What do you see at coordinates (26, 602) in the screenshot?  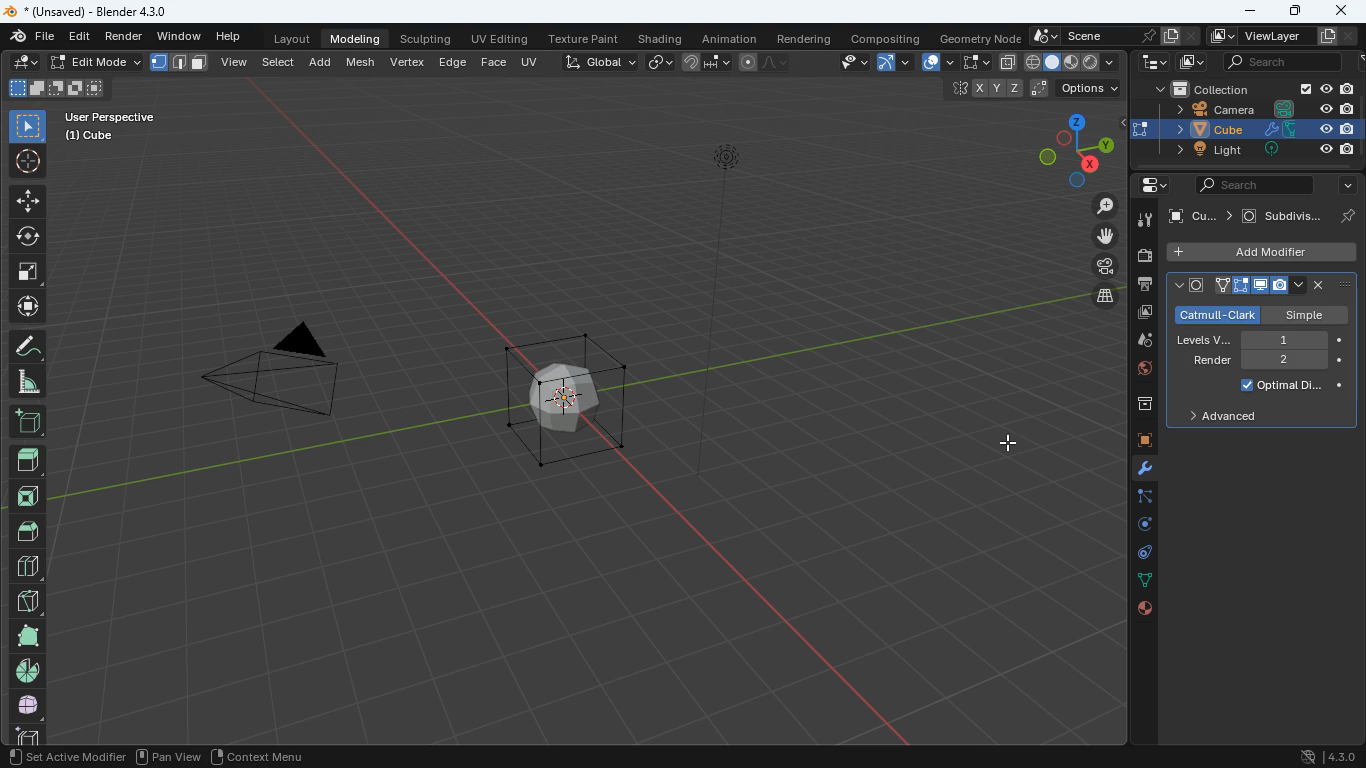 I see `diagonal` at bounding box center [26, 602].